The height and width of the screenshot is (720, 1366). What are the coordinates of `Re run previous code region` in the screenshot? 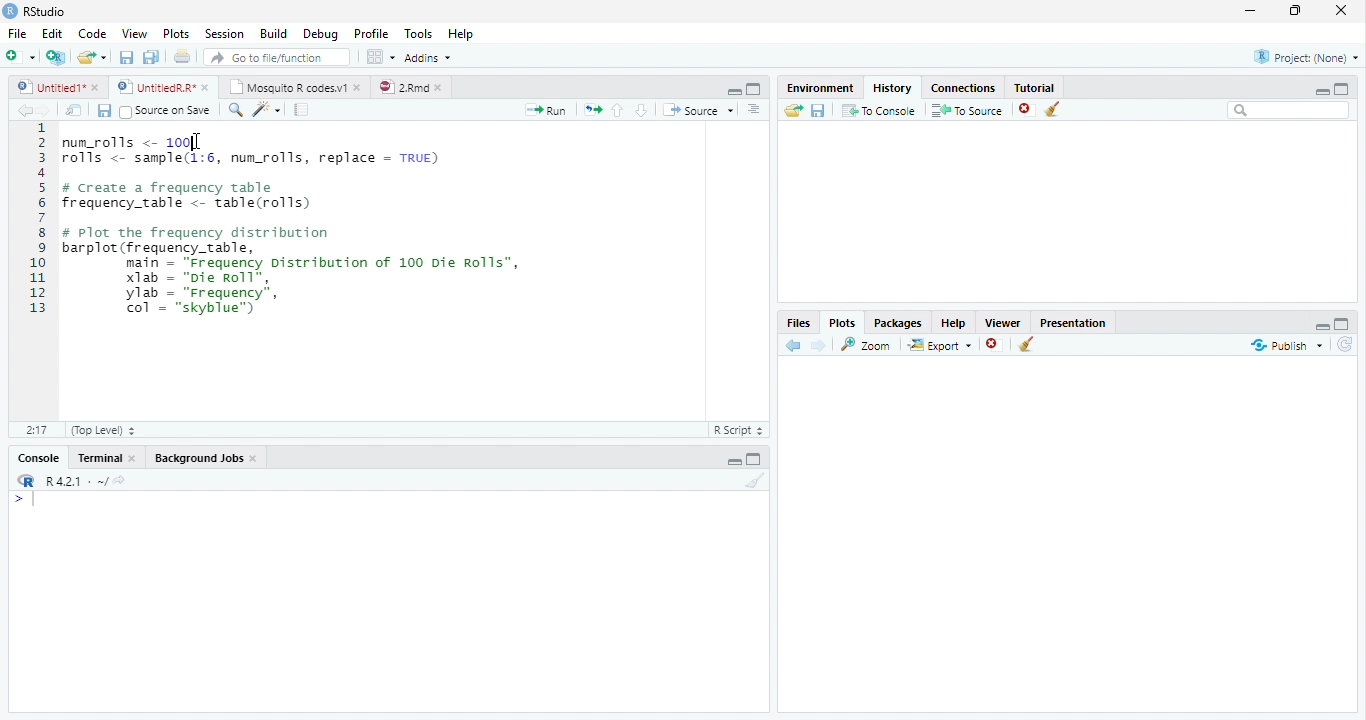 It's located at (591, 111).